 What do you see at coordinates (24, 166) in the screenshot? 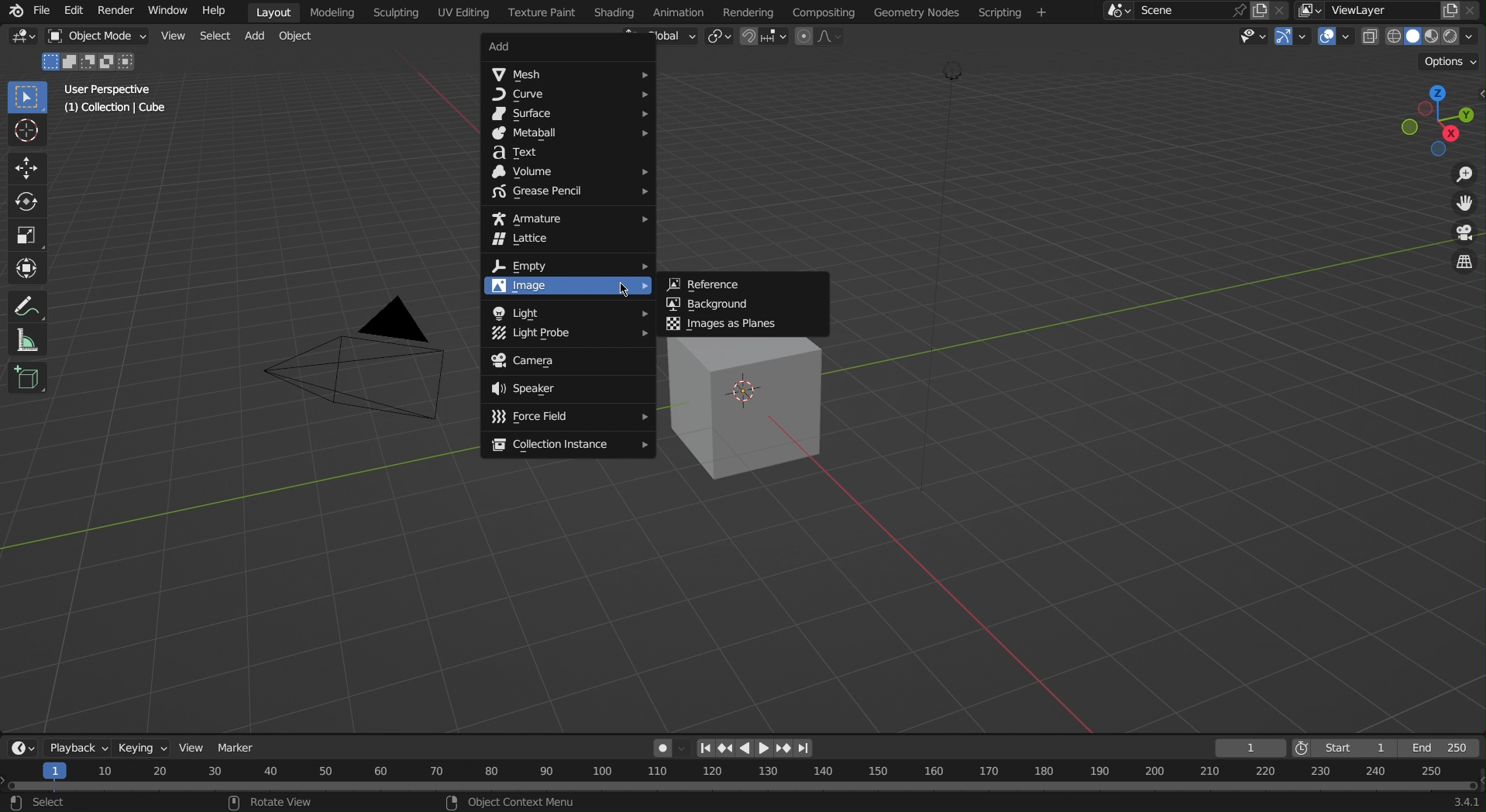
I see `Move` at bounding box center [24, 166].